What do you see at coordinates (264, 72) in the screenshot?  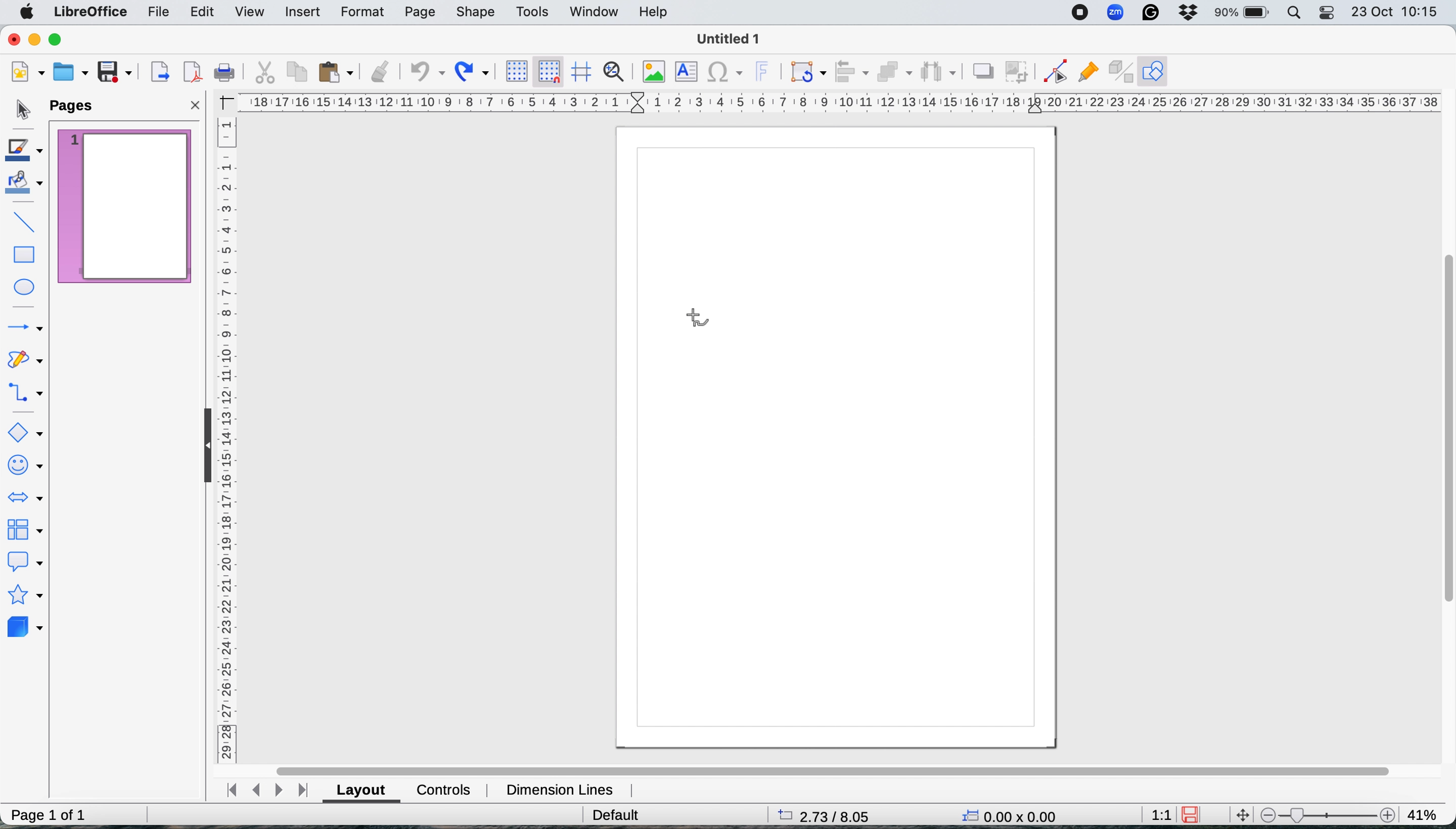 I see `cut` at bounding box center [264, 72].